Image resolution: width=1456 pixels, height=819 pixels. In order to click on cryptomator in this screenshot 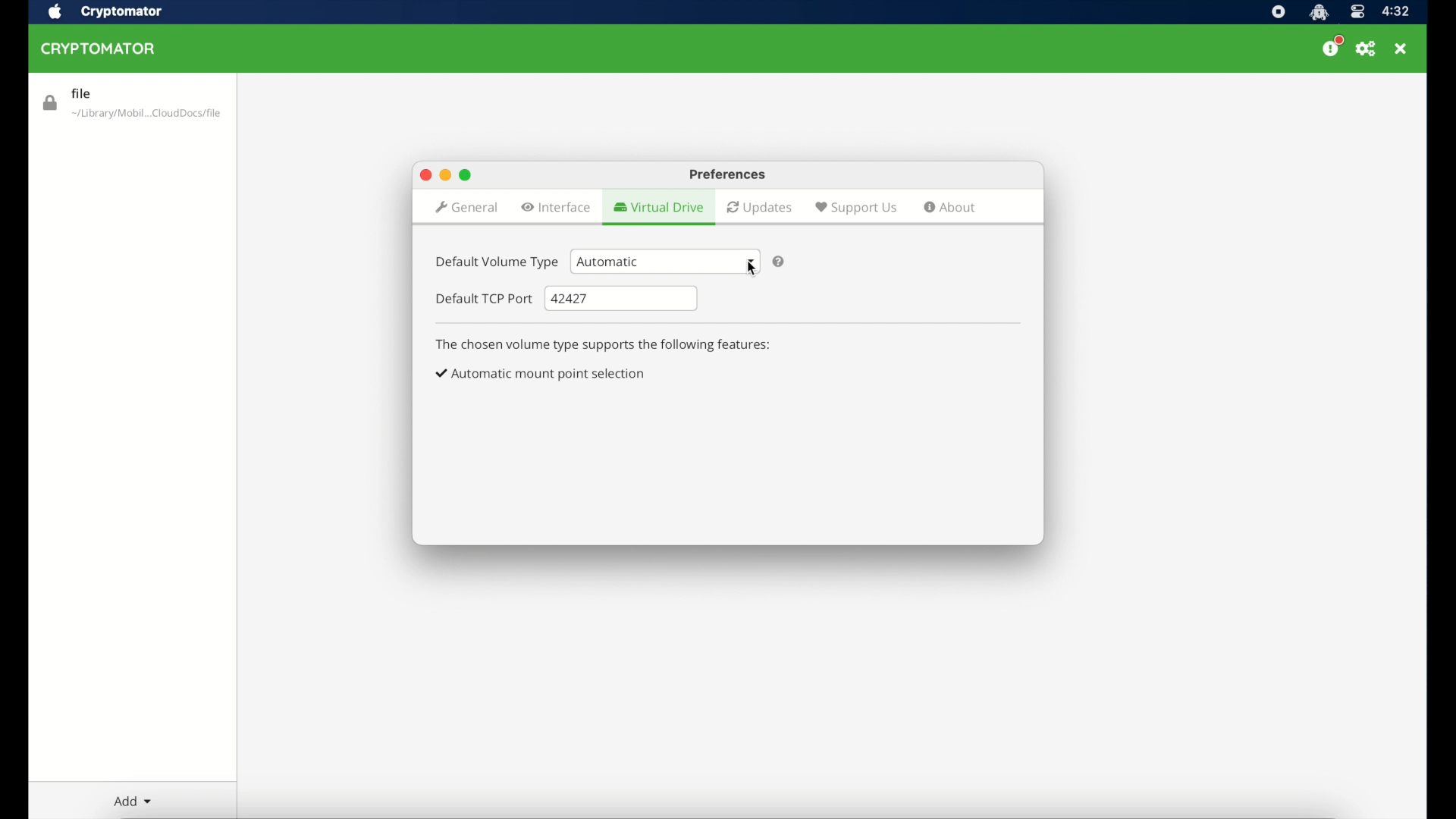, I will do `click(1318, 12)`.